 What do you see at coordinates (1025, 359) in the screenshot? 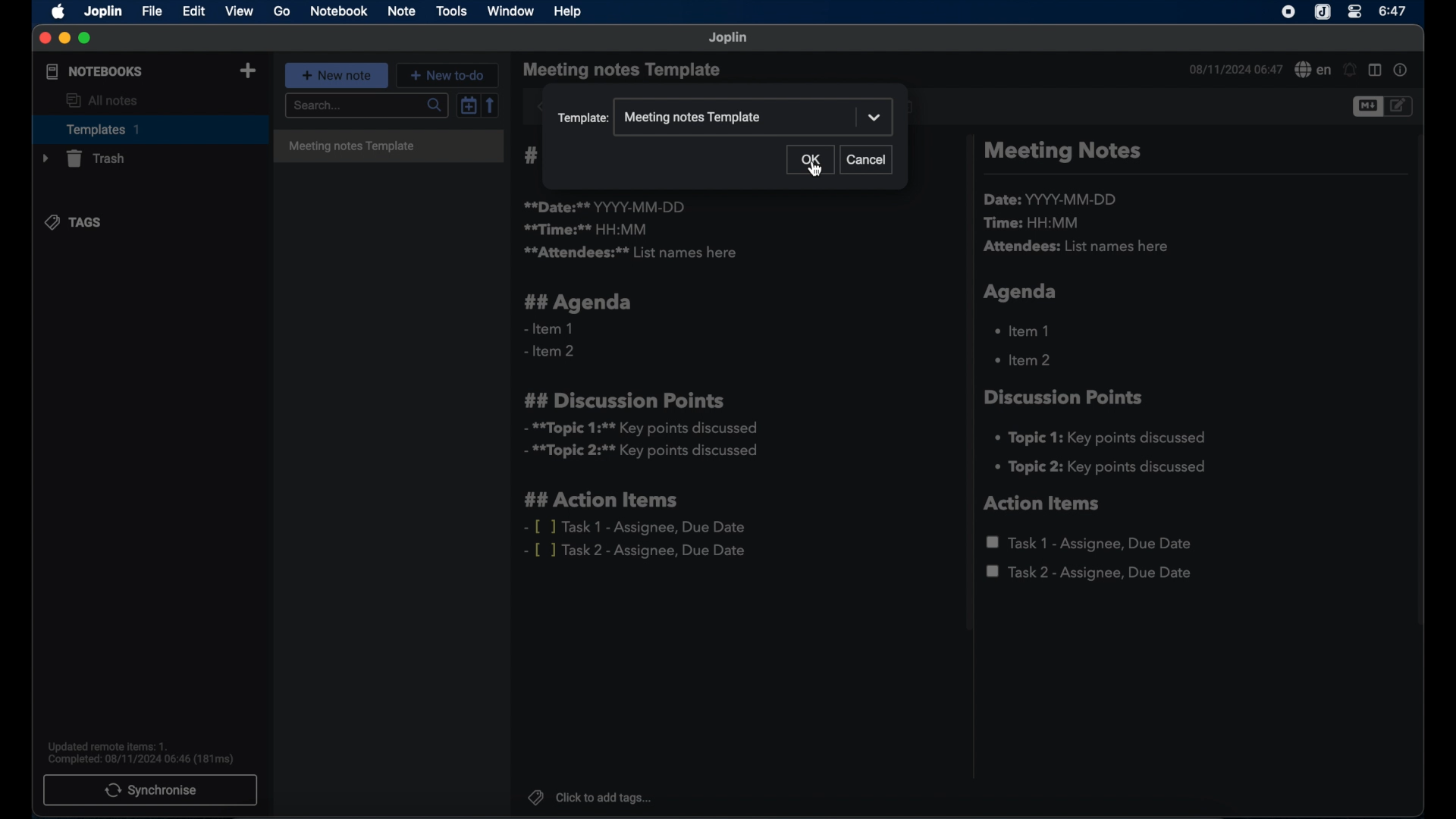
I see `item 2` at bounding box center [1025, 359].